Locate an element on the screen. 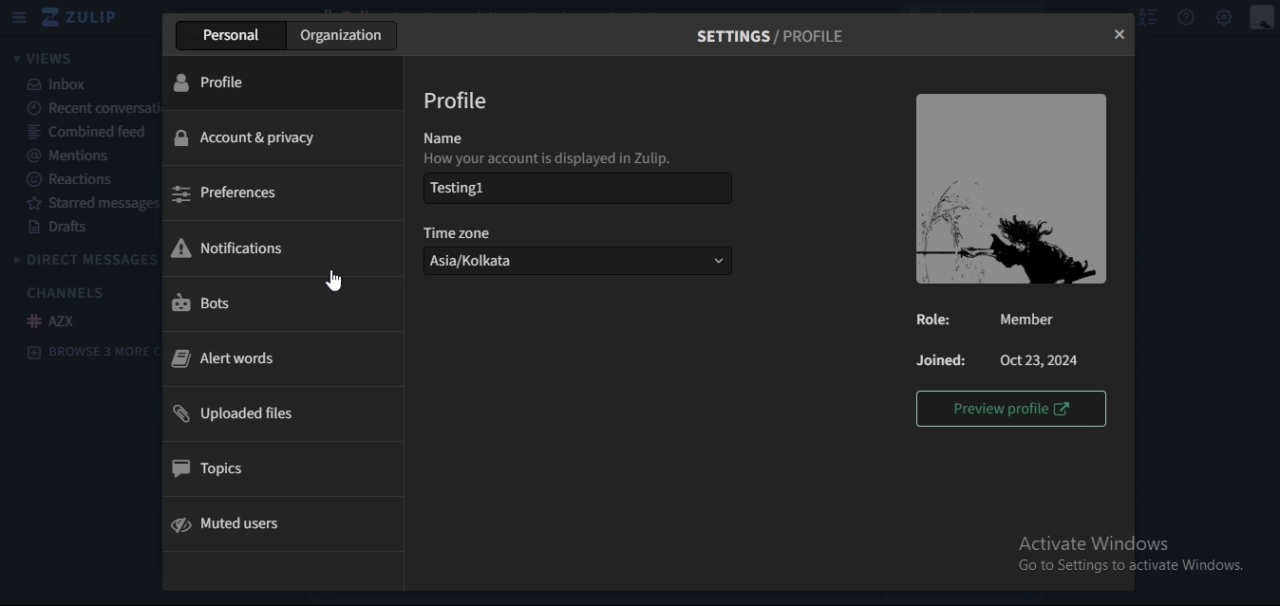  icon is located at coordinates (81, 19).